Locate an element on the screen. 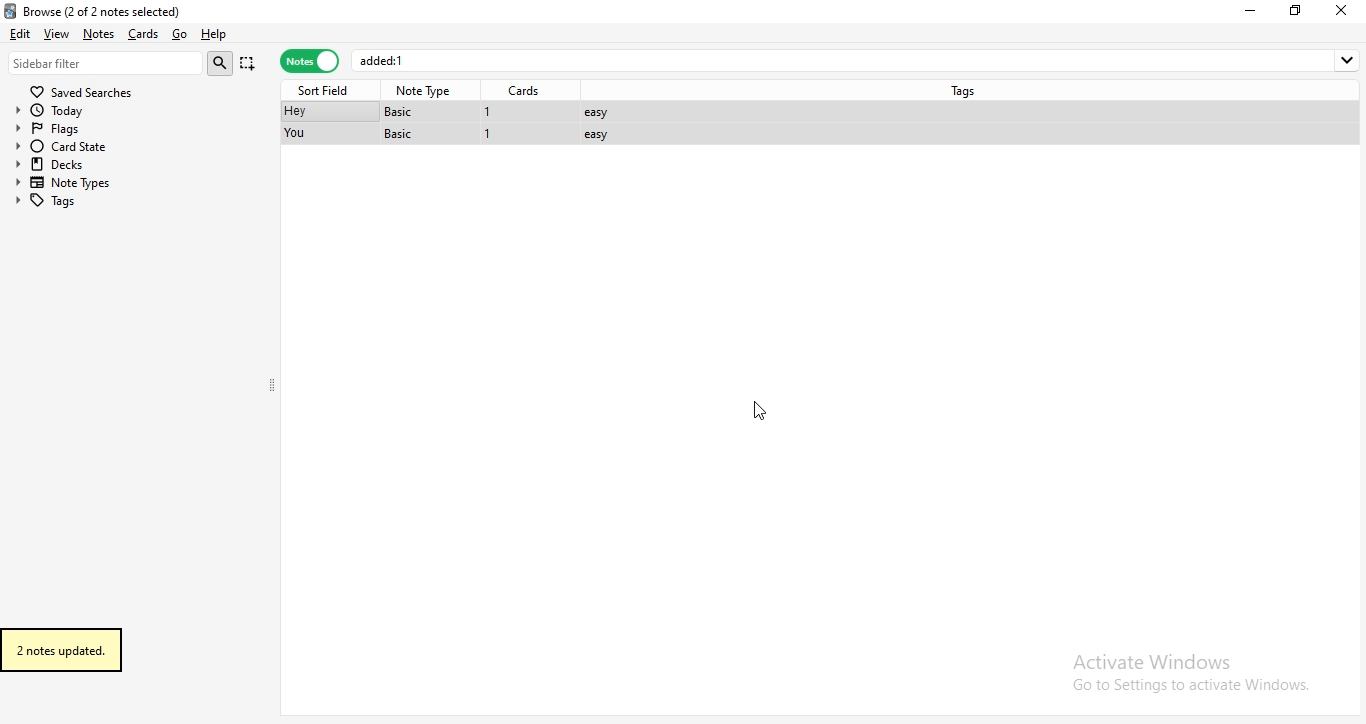 This screenshot has height=724, width=1366. tags is located at coordinates (65, 200).